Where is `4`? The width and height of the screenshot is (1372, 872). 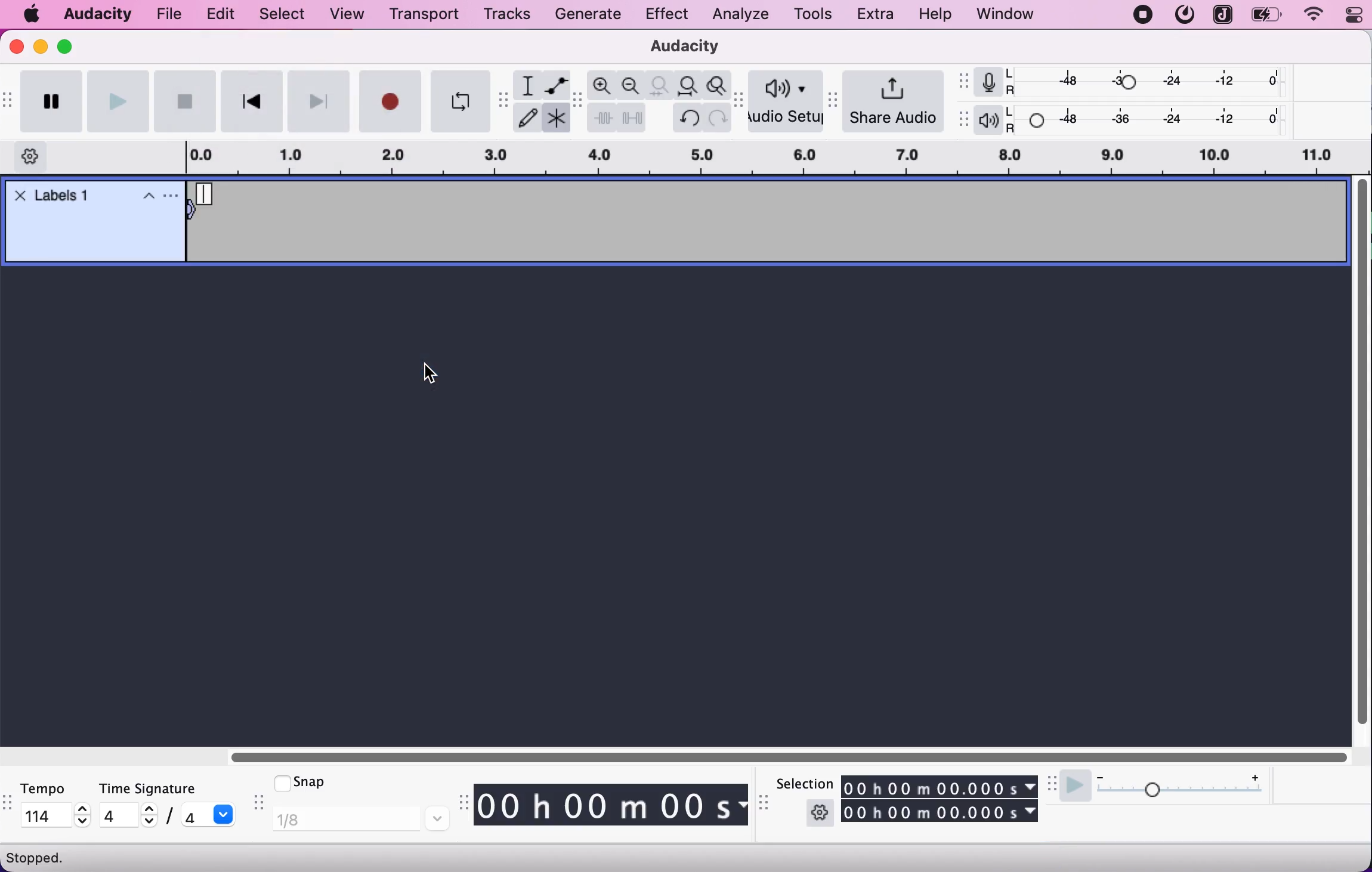
4 is located at coordinates (112, 815).